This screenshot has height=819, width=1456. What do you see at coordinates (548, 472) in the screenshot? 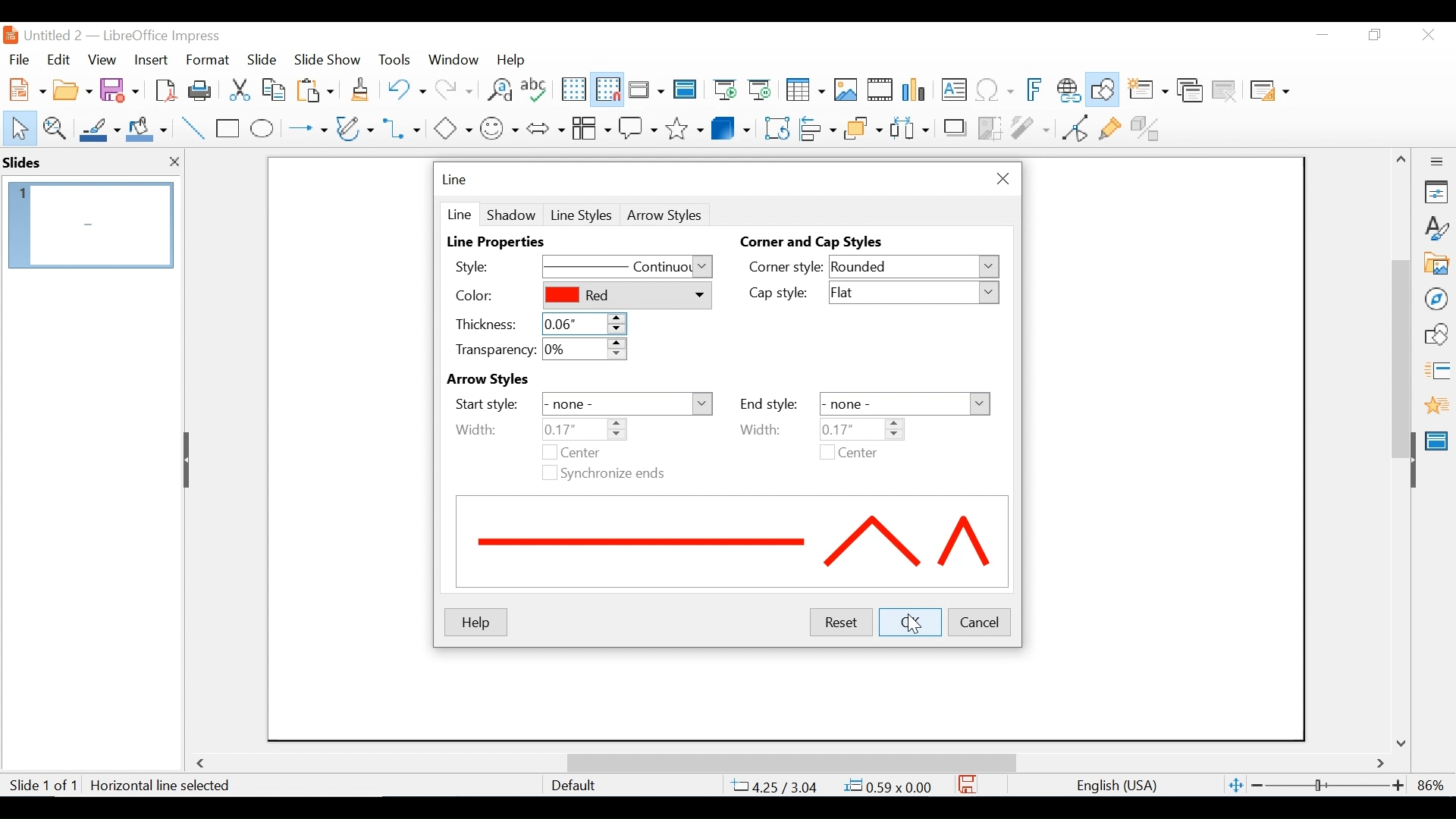
I see `checkbox` at bounding box center [548, 472].